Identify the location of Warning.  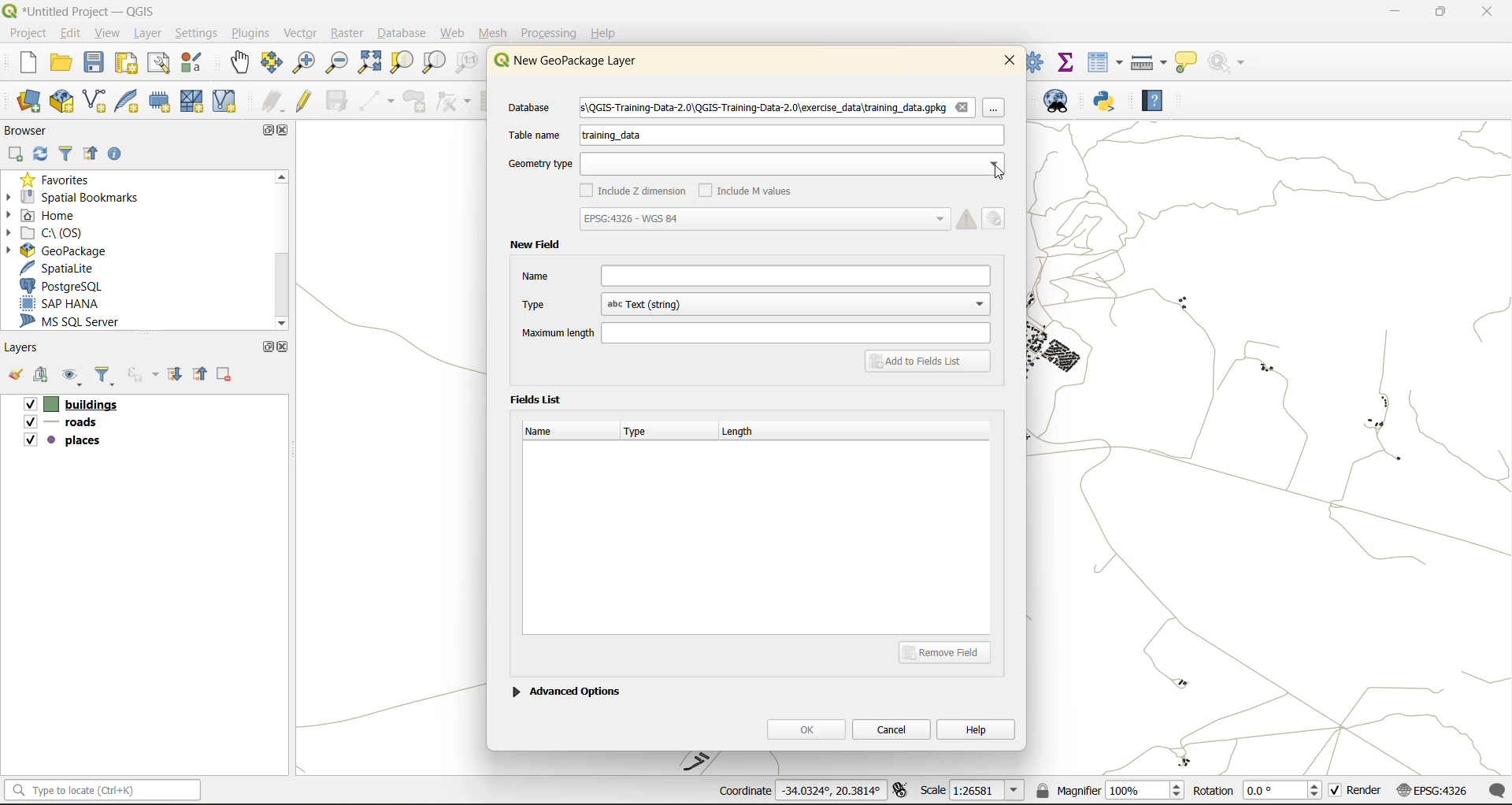
(967, 218).